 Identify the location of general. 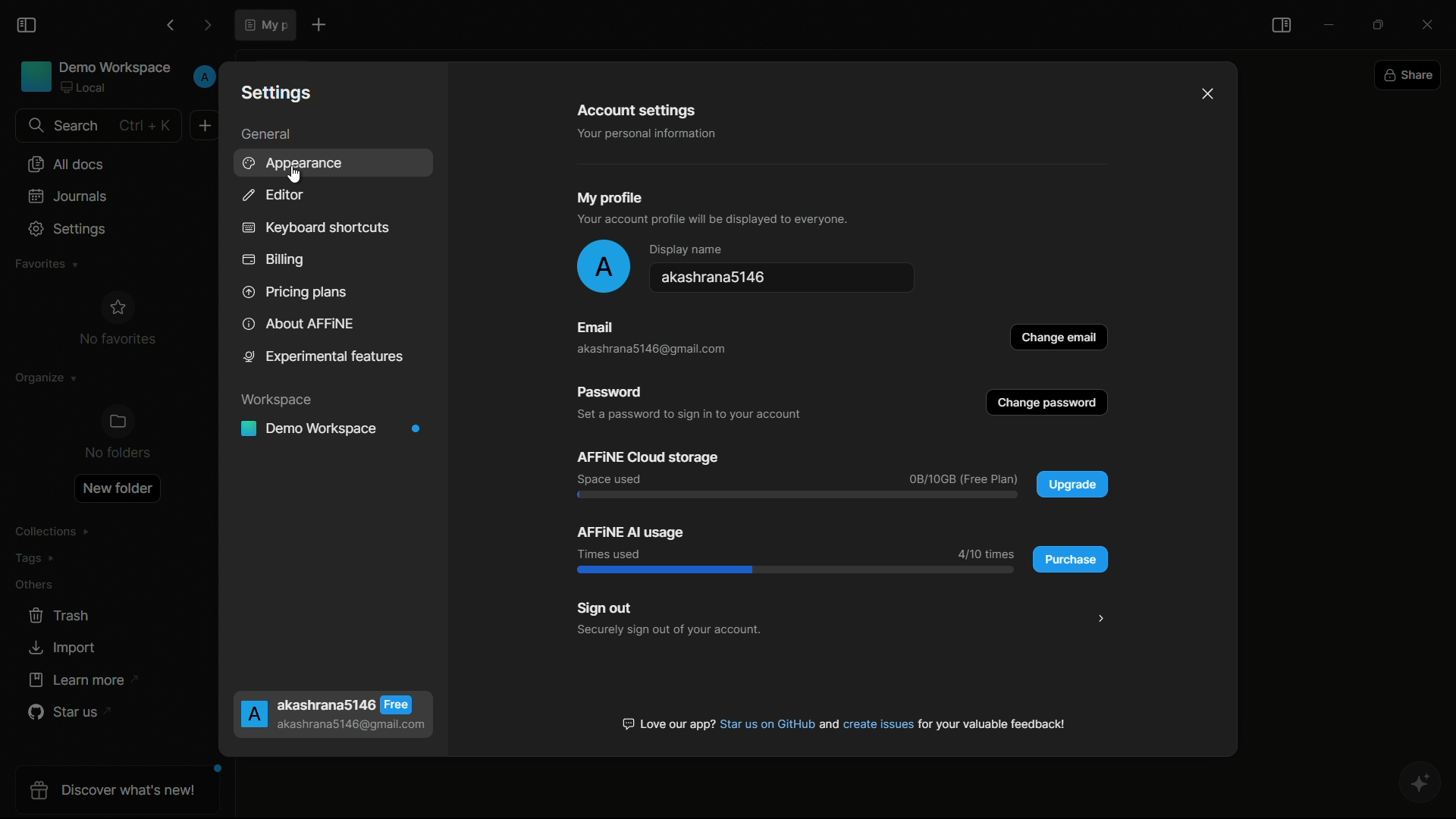
(265, 135).